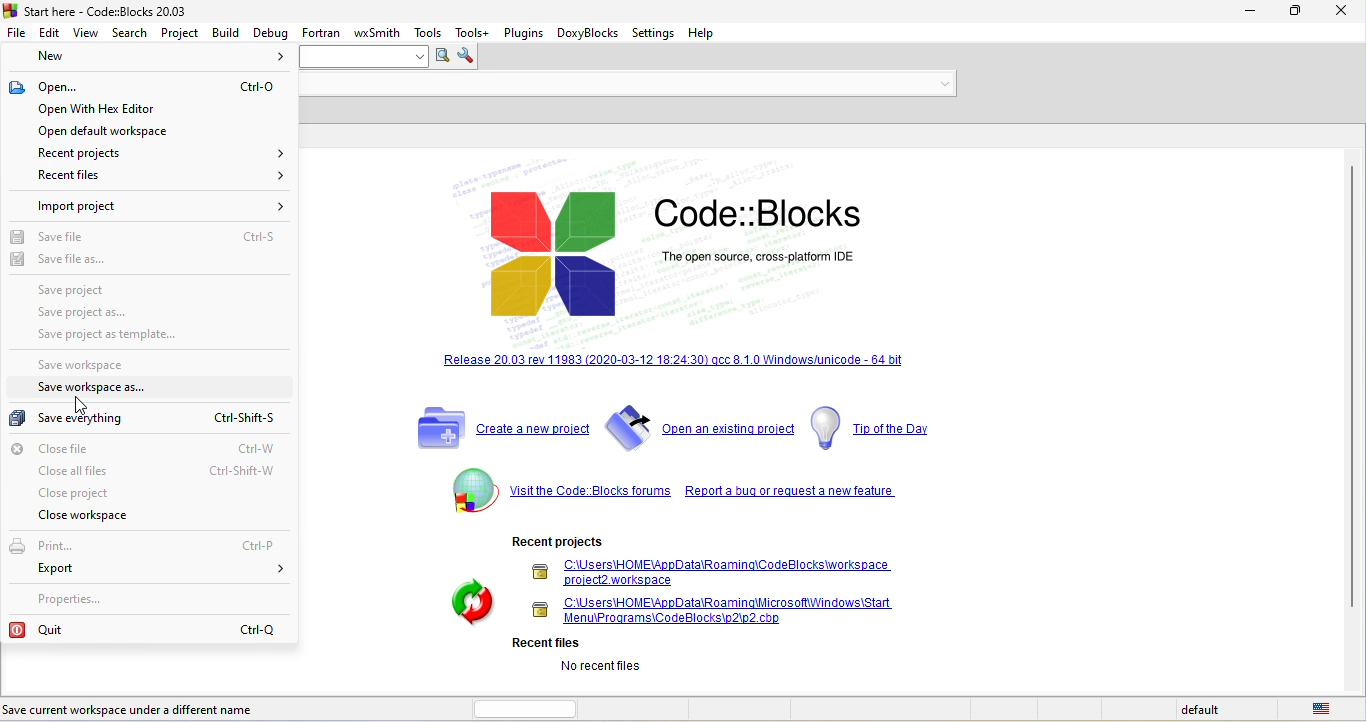 Image resolution: width=1366 pixels, height=722 pixels. What do you see at coordinates (669, 493) in the screenshot?
I see `visit the code blocks forums report a bug or request a new feature` at bounding box center [669, 493].